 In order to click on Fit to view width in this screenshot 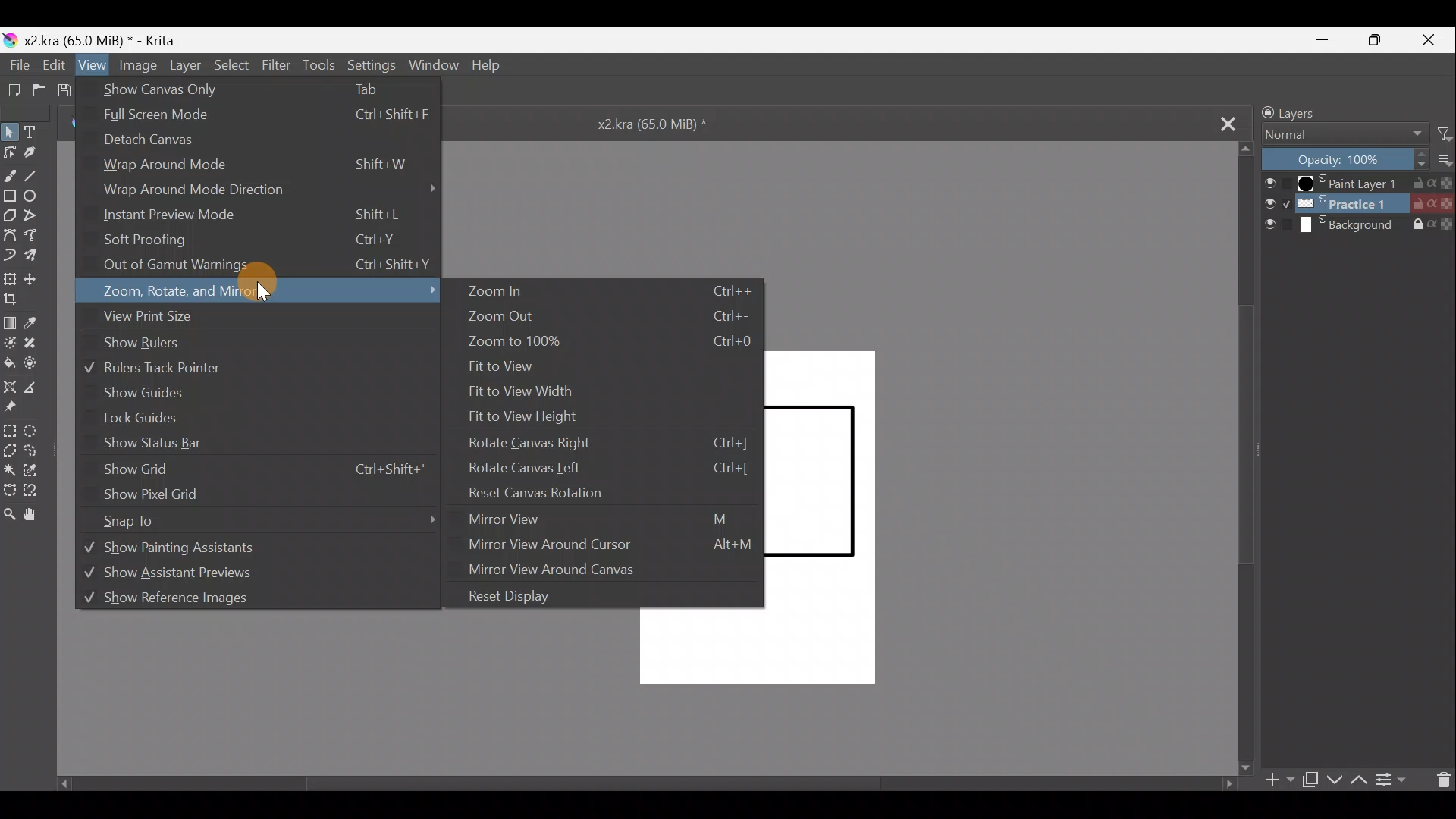, I will do `click(543, 391)`.